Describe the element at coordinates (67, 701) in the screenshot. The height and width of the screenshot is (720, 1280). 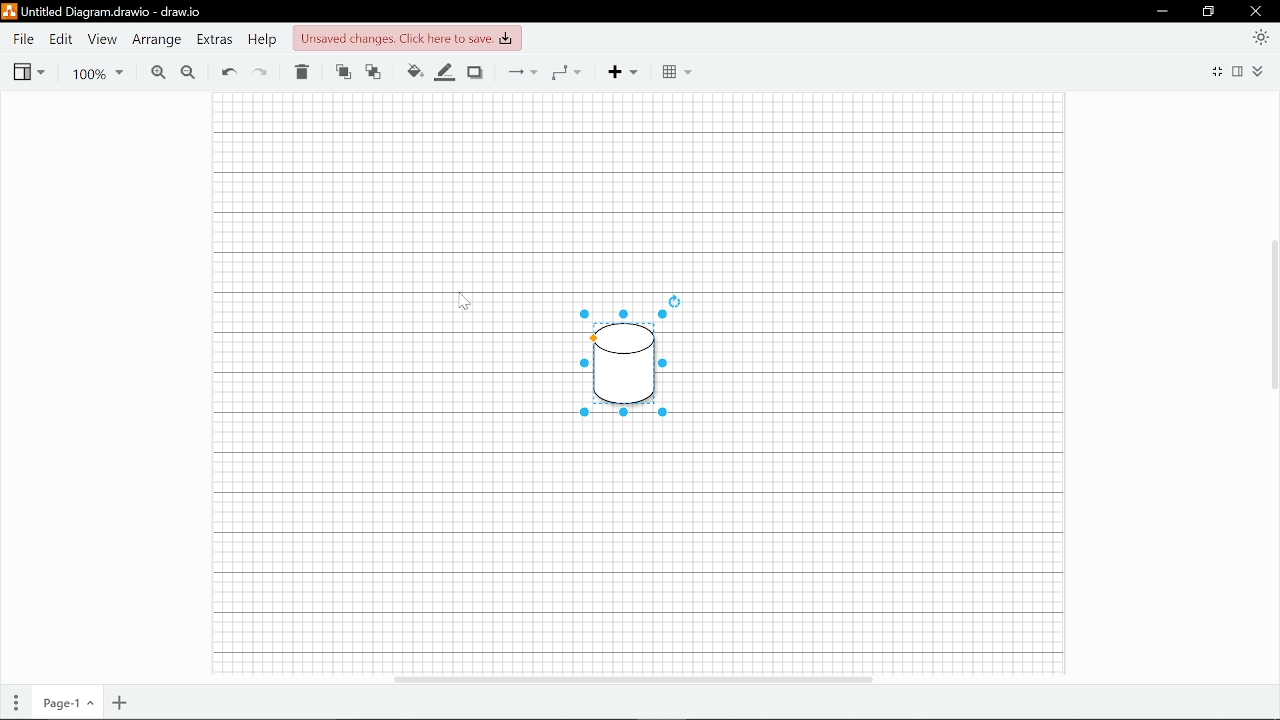
I see `Current page` at that location.